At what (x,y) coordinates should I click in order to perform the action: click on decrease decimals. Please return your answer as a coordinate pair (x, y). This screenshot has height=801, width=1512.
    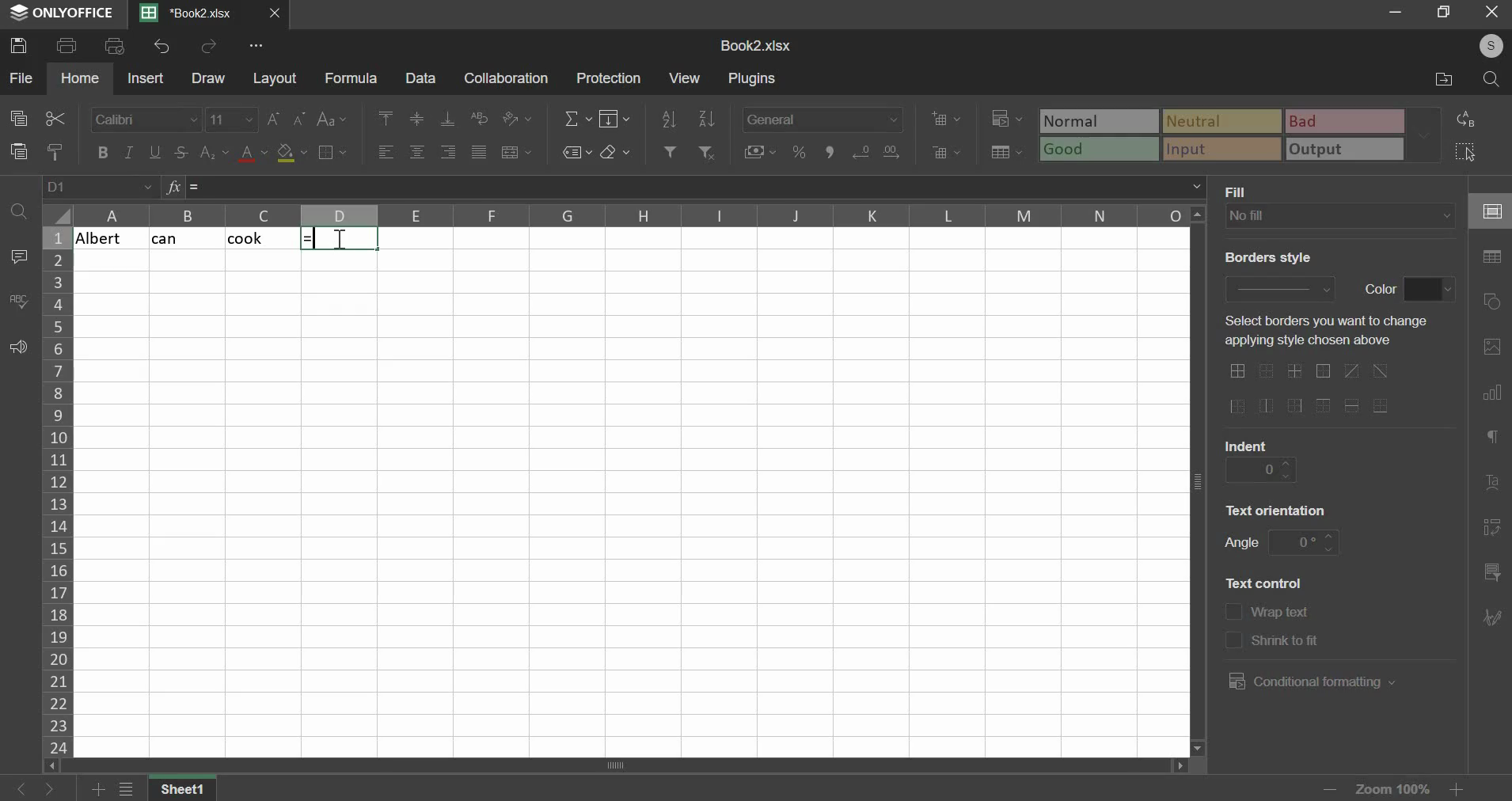
    Looking at the image, I should click on (892, 150).